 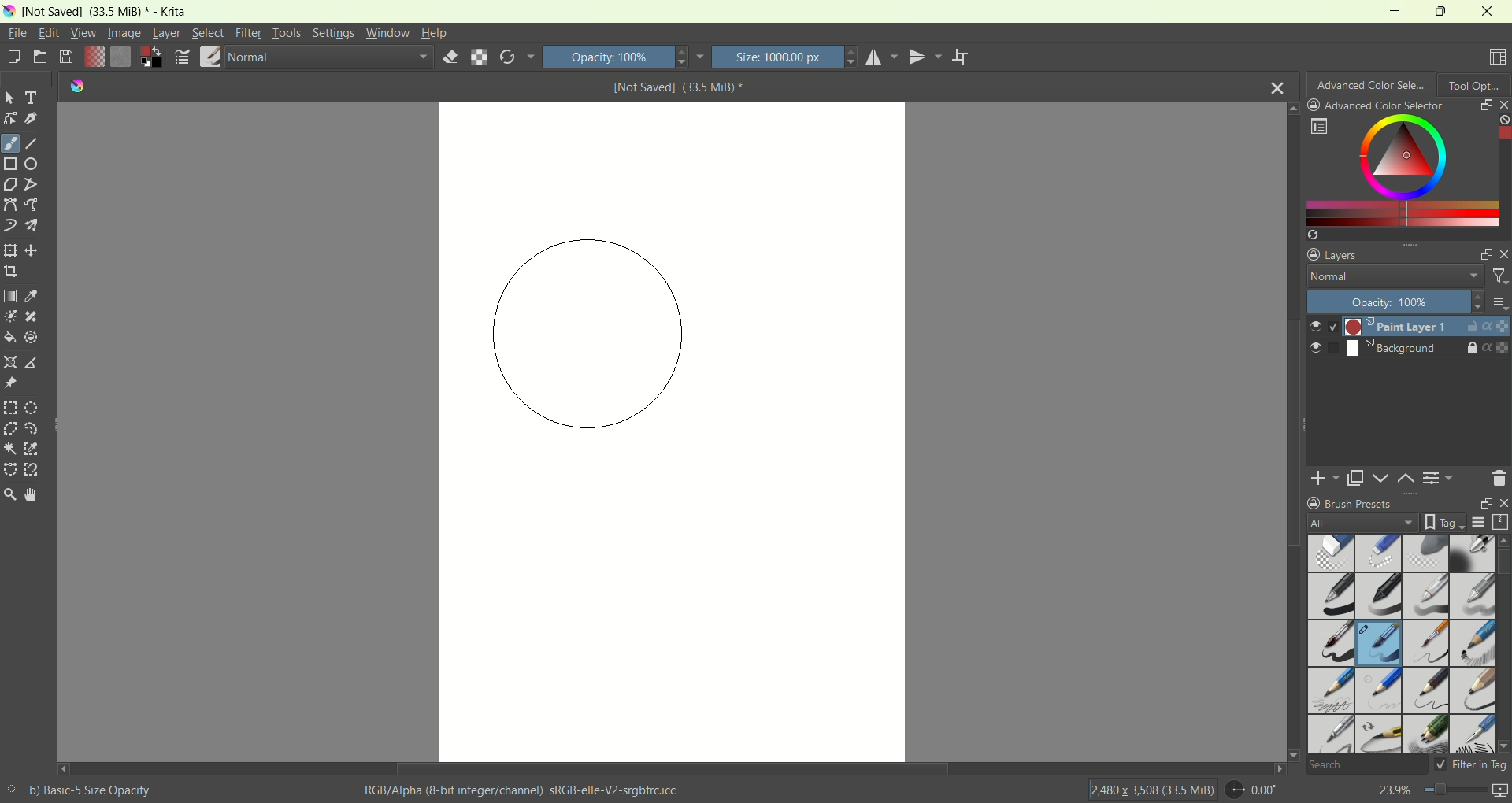 What do you see at coordinates (211, 58) in the screenshot?
I see `brush` at bounding box center [211, 58].